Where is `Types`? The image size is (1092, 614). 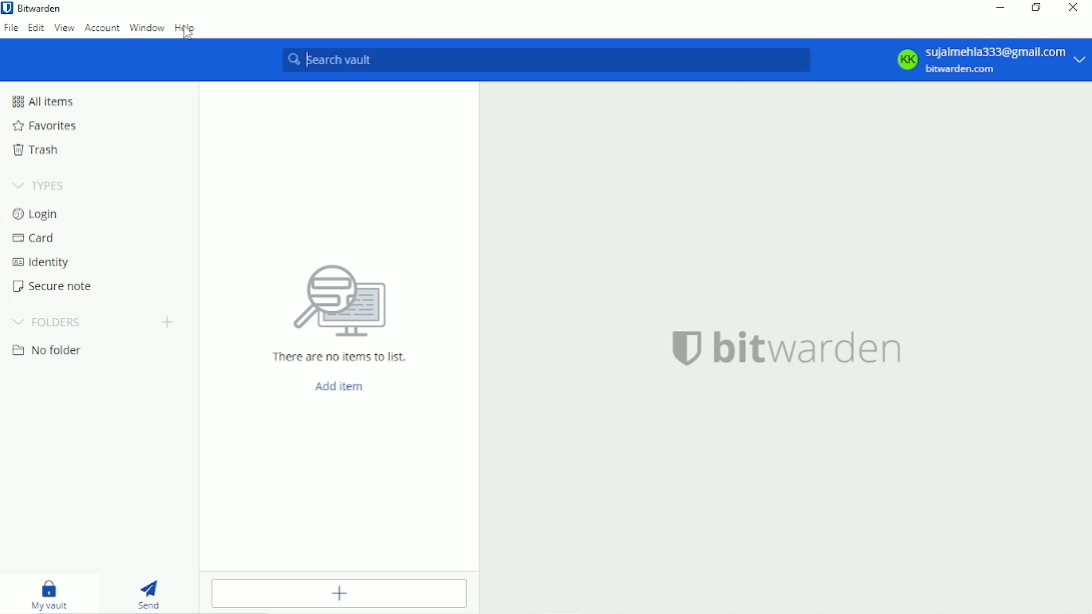
Types is located at coordinates (36, 184).